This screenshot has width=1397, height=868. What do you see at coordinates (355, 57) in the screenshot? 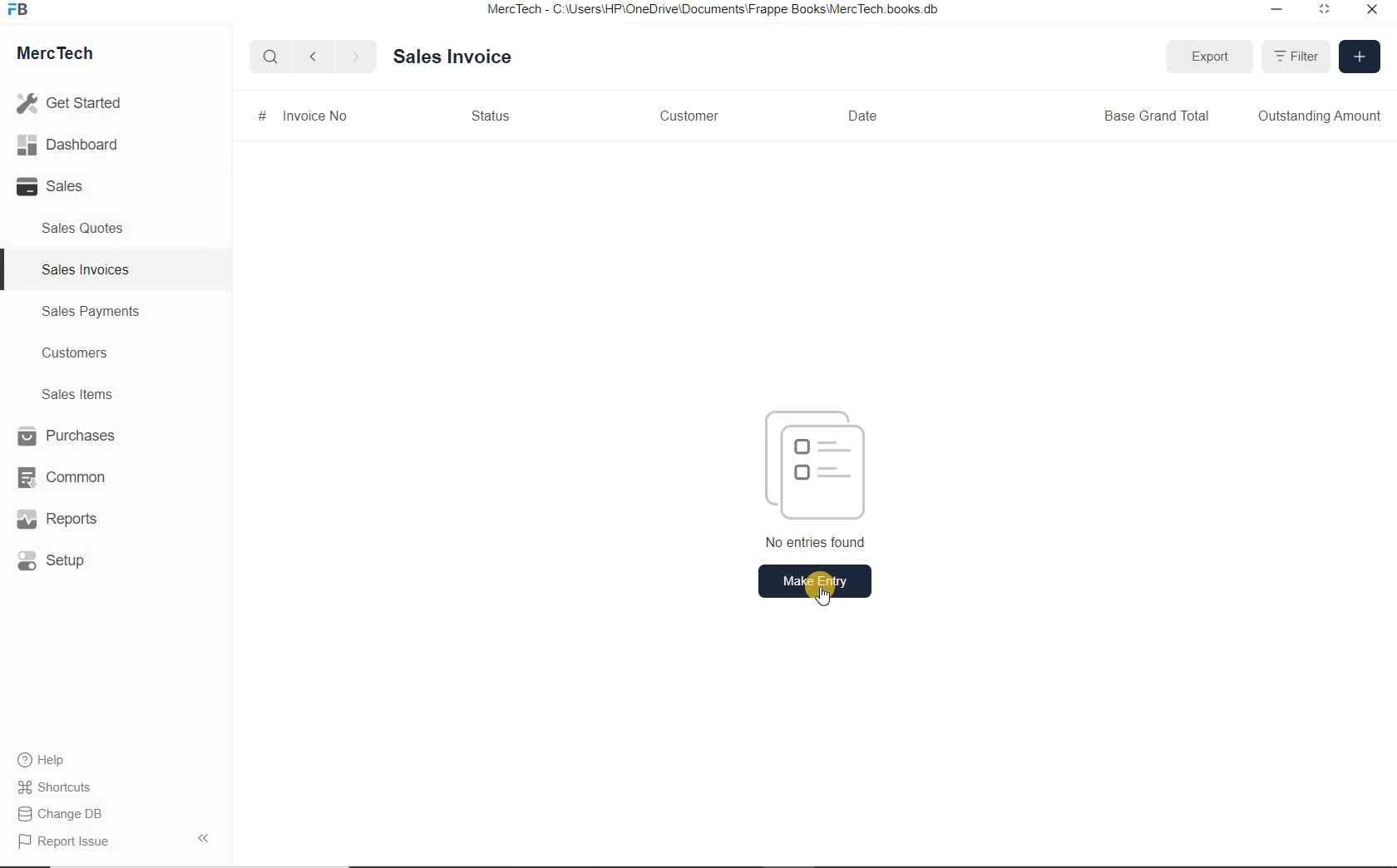
I see `Go forward` at bounding box center [355, 57].